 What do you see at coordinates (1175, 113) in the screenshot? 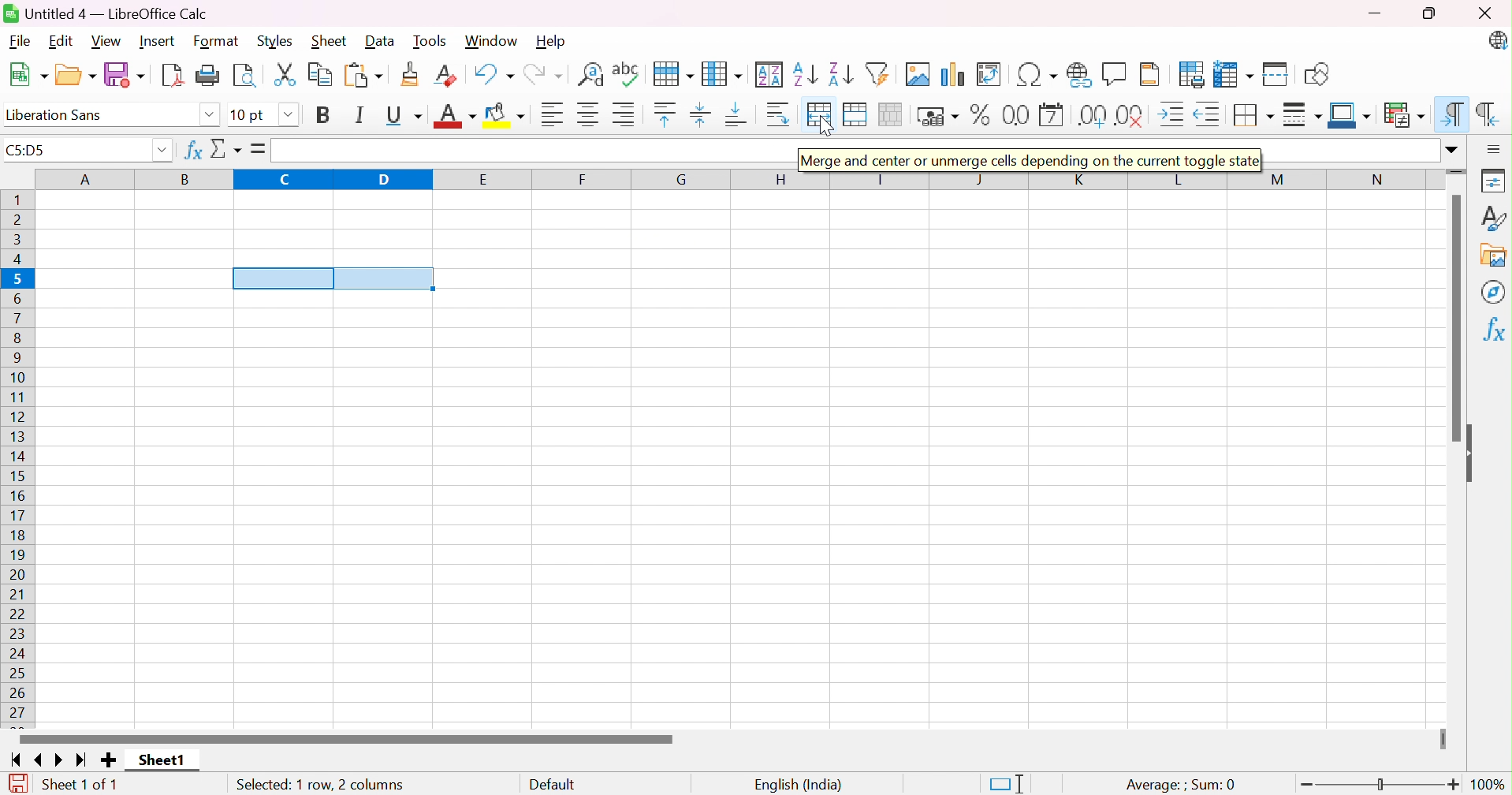
I see `Increase Indent` at bounding box center [1175, 113].